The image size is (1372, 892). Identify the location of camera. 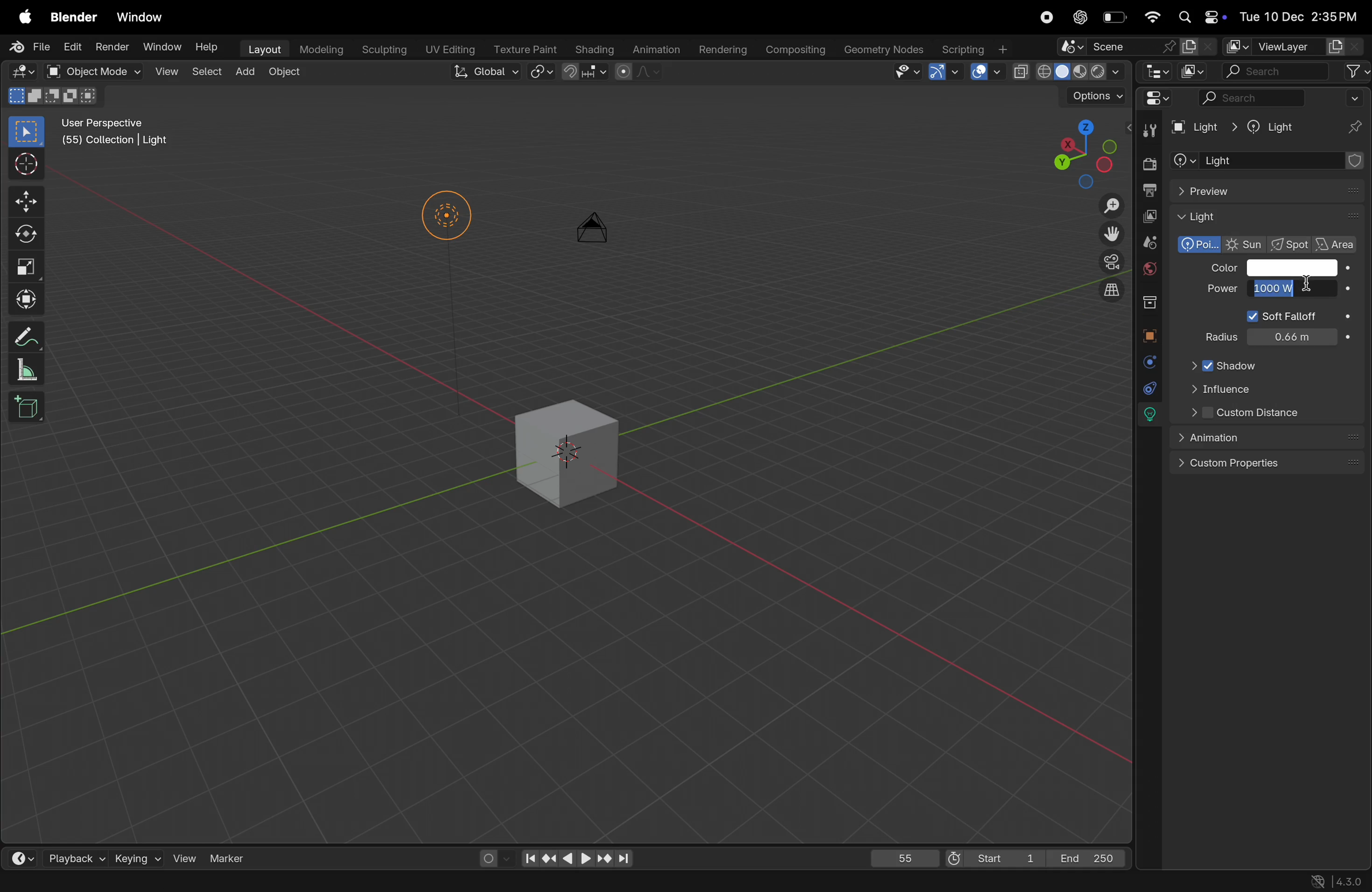
(597, 235).